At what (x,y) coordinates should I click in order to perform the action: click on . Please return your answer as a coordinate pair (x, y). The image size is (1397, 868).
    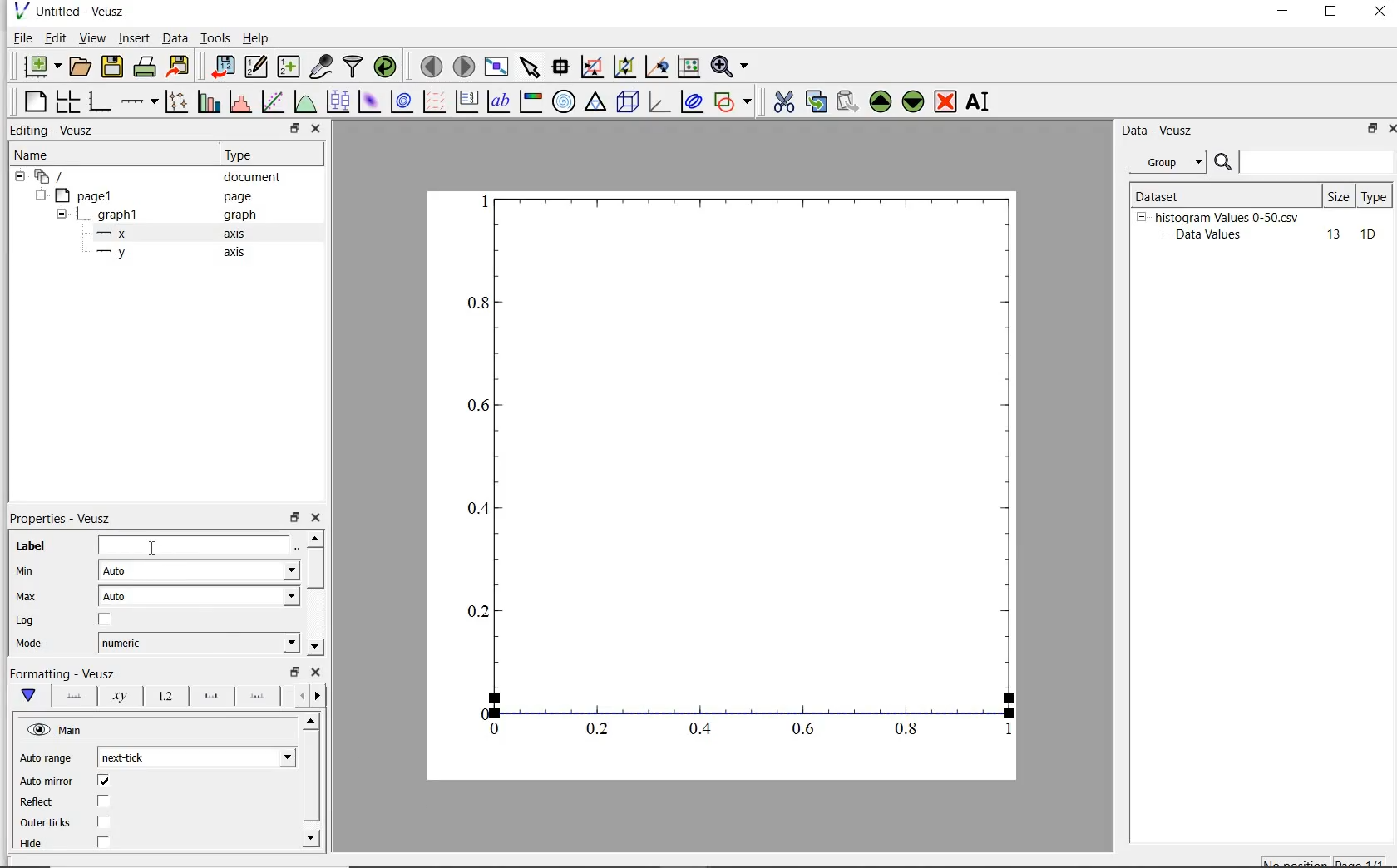
    Looking at the image, I should click on (241, 215).